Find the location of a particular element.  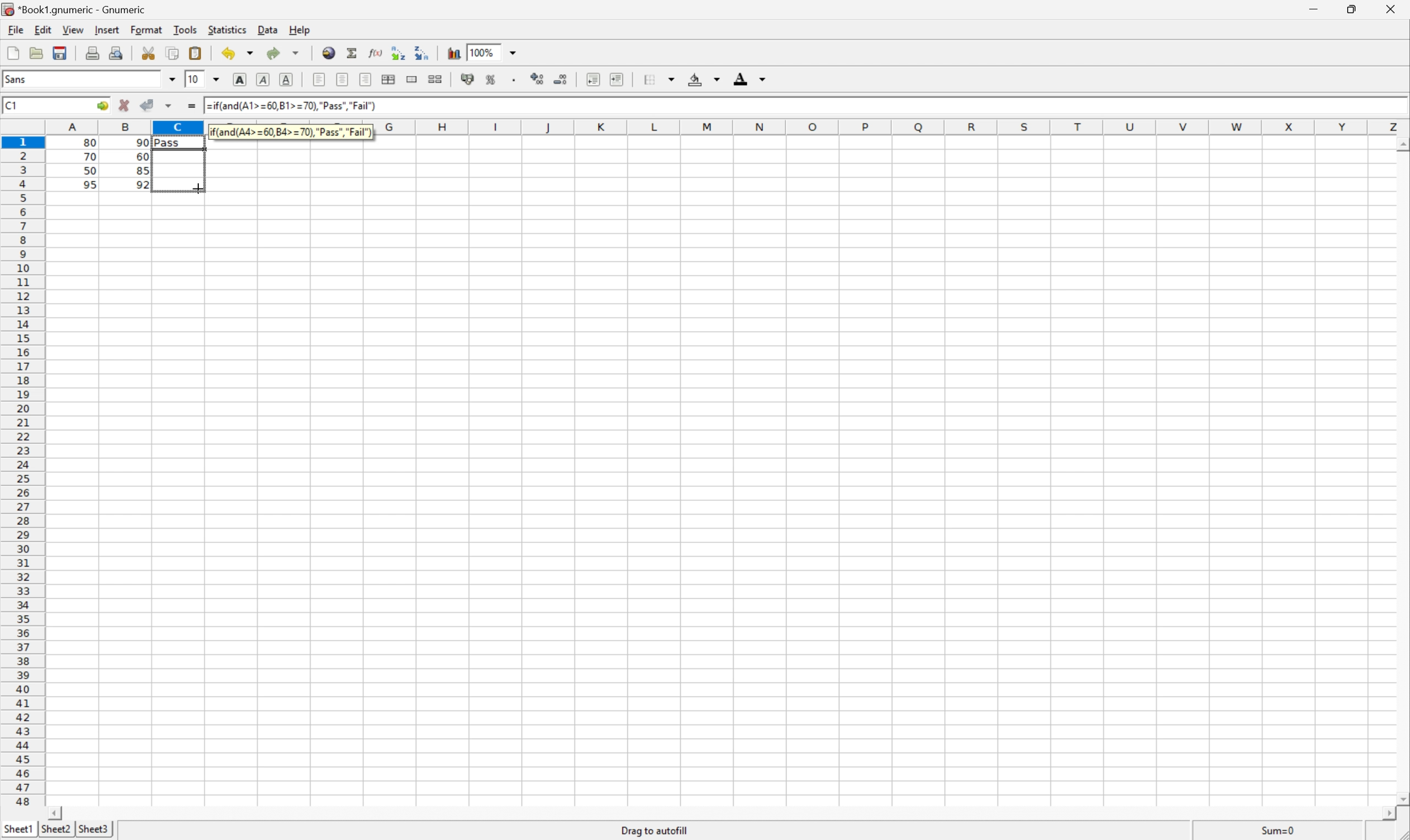

50 is located at coordinates (87, 172).